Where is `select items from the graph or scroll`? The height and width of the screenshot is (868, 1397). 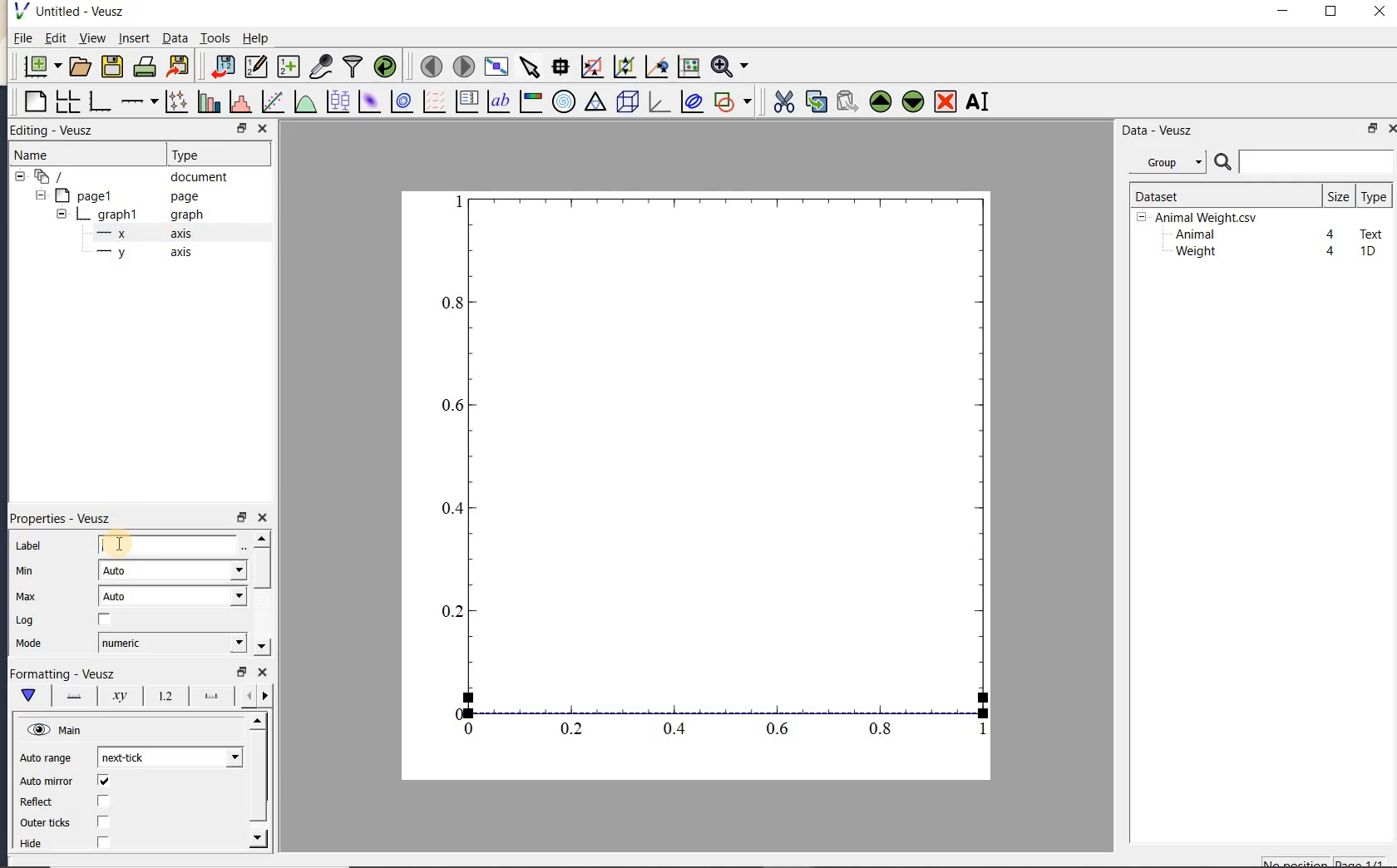 select items from the graph or scroll is located at coordinates (531, 67).